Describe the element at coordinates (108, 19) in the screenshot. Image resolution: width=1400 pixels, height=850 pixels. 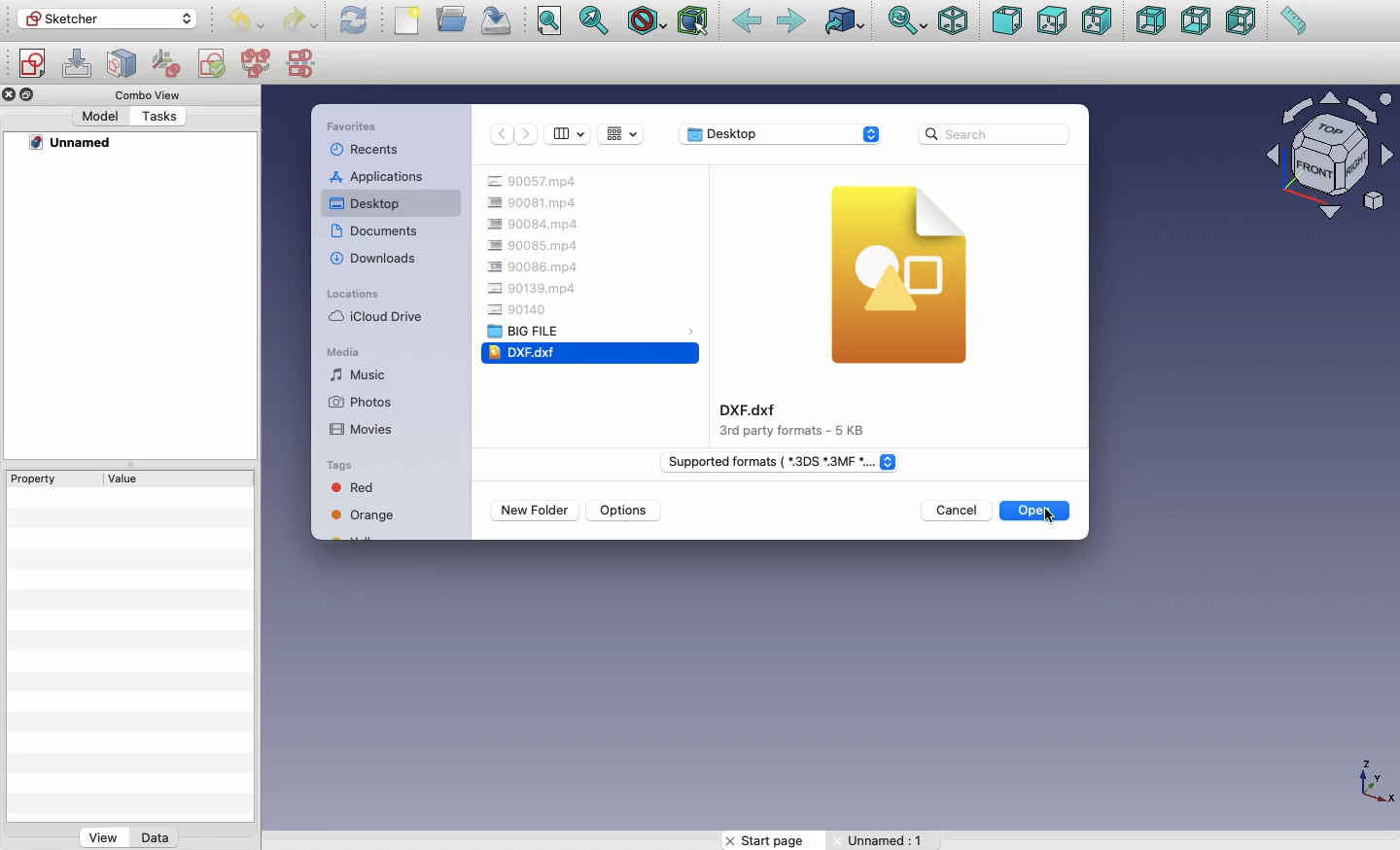
I see `Workbench` at that location.